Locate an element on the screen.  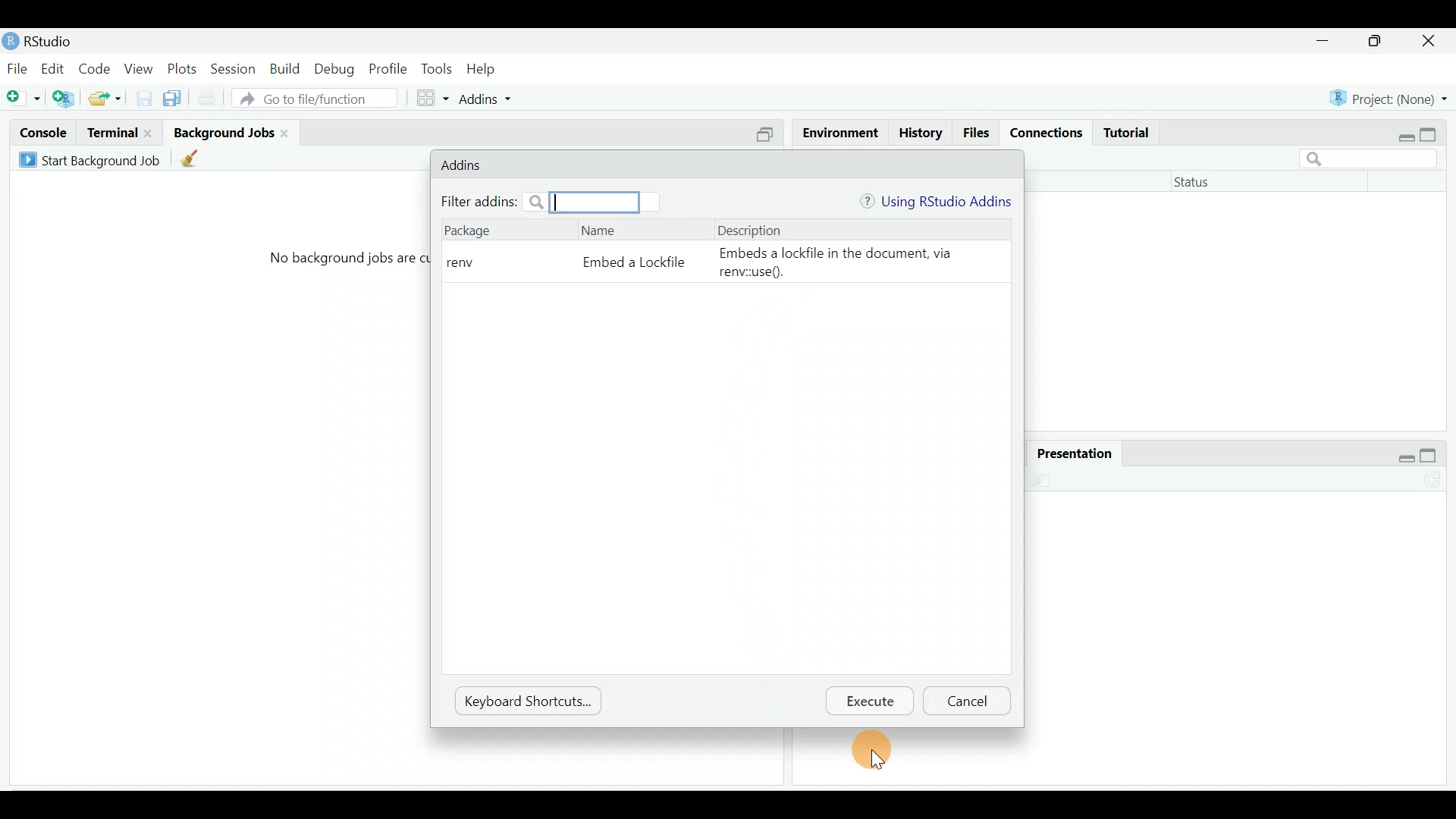
View is located at coordinates (140, 70).